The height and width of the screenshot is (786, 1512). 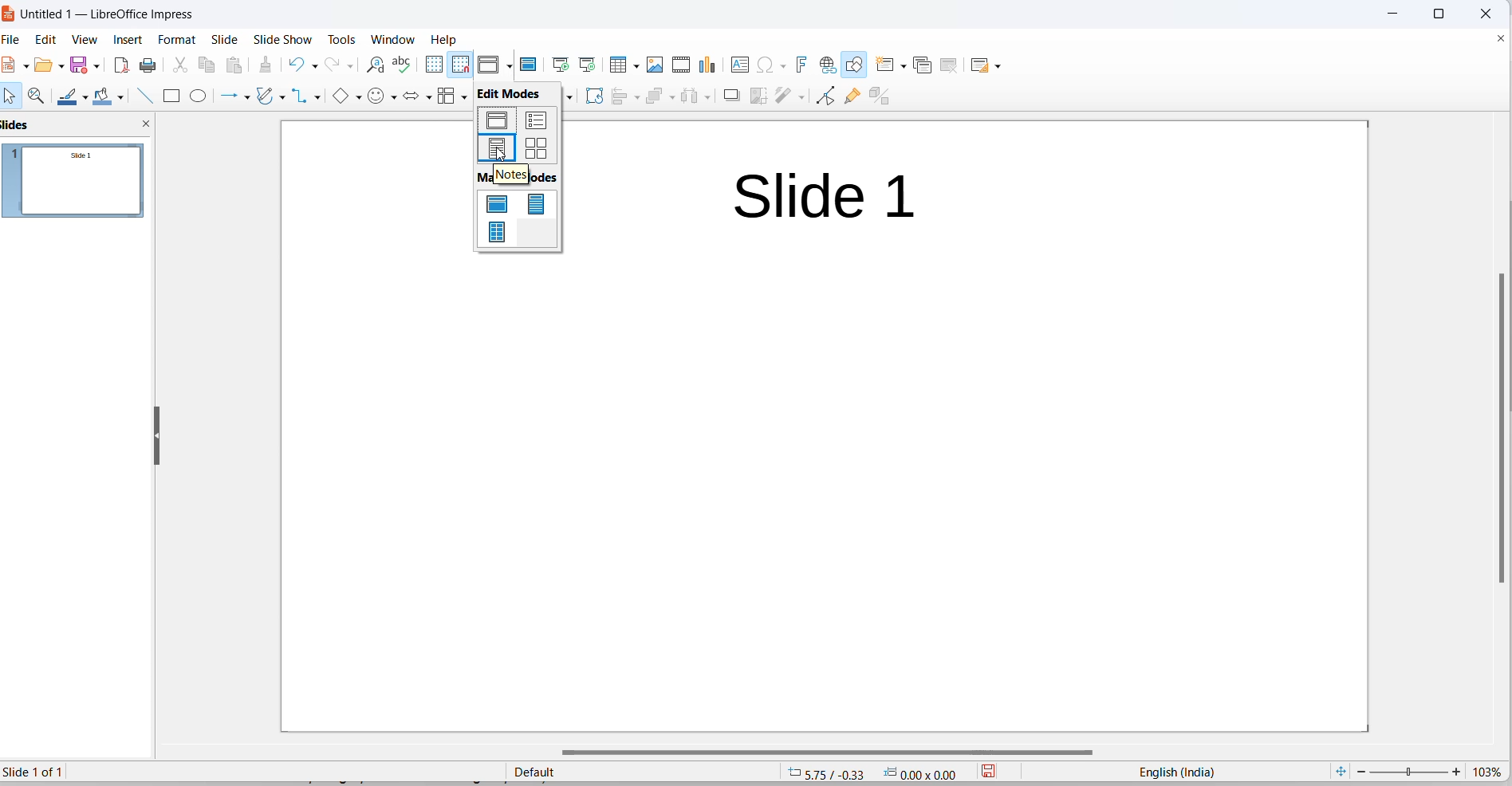 I want to click on current slide, so click(x=41, y=772).